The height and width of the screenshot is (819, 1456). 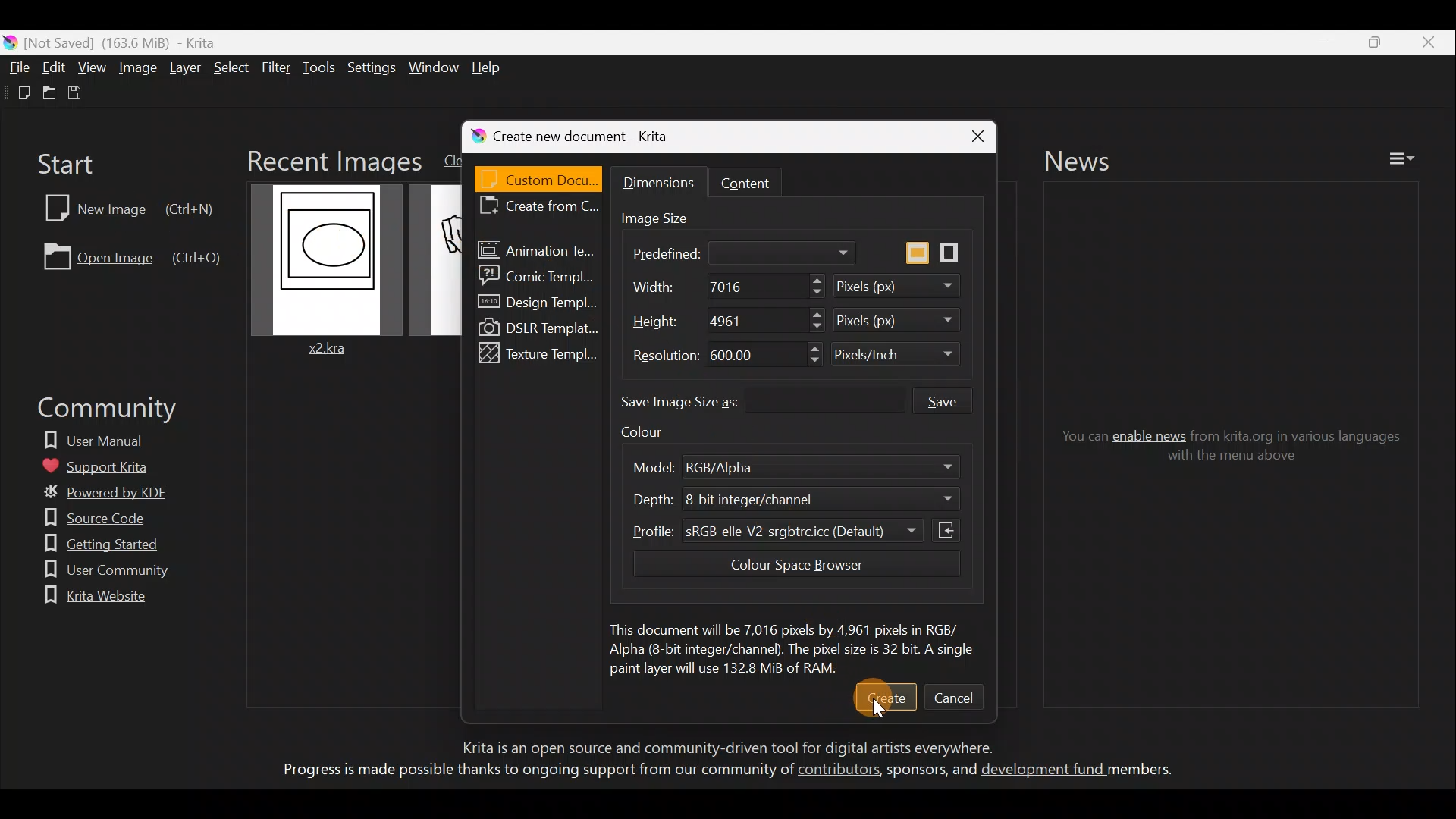 What do you see at coordinates (912, 529) in the screenshot?
I see `Profile drop down` at bounding box center [912, 529].